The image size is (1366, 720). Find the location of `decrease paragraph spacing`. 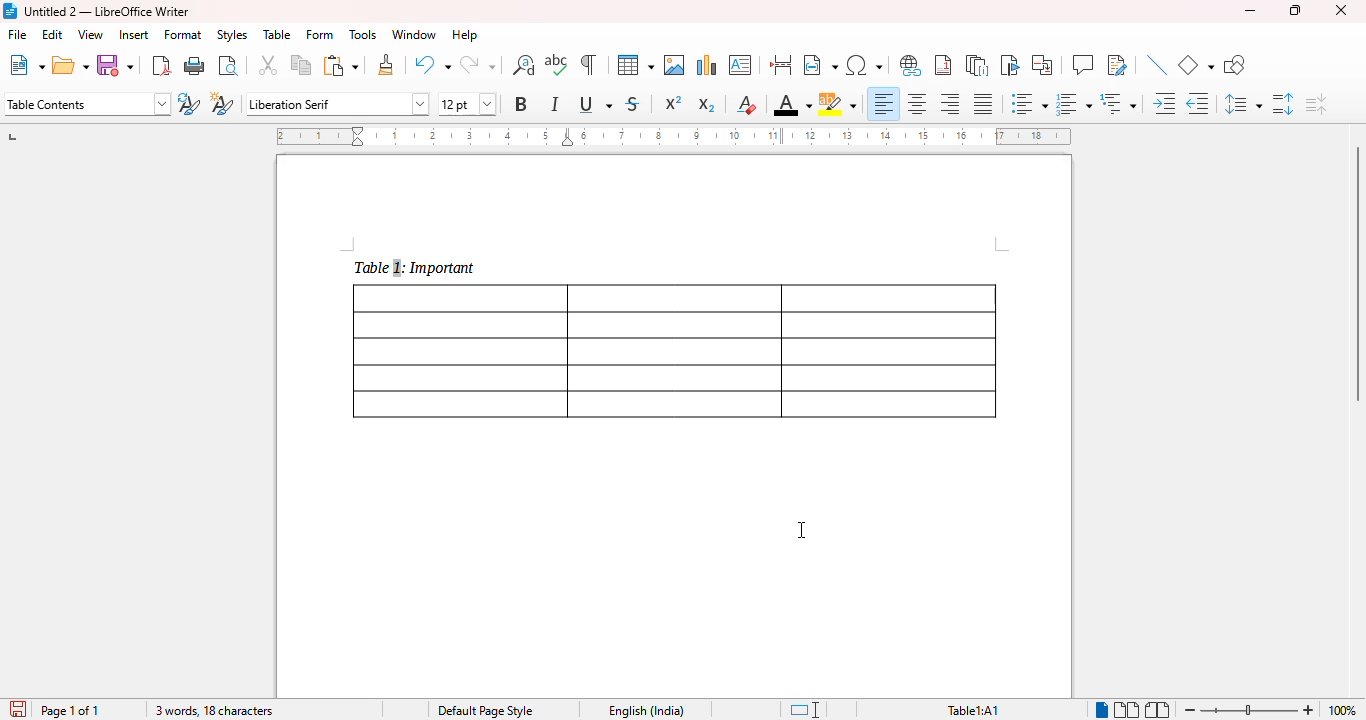

decrease paragraph spacing is located at coordinates (1315, 104).